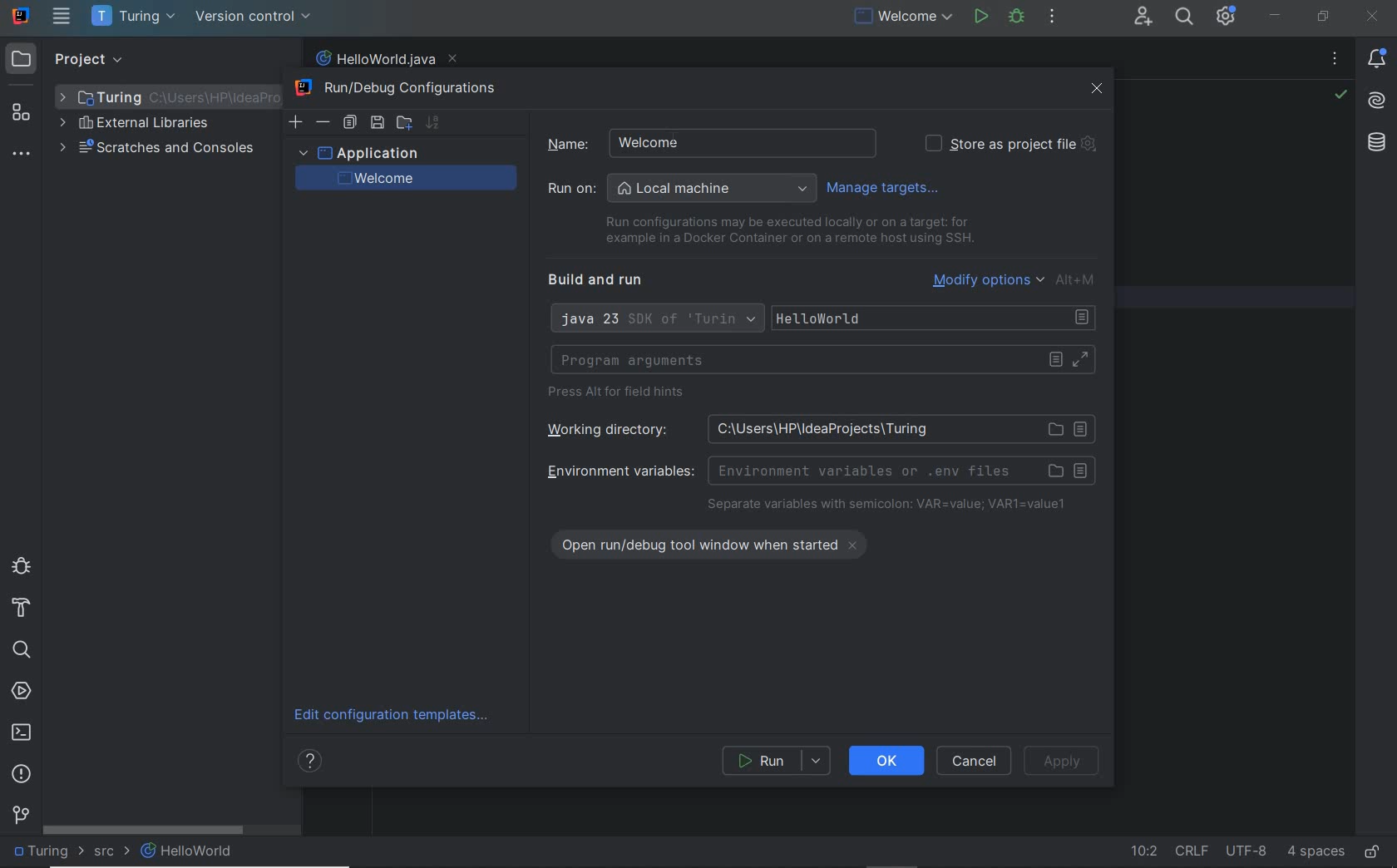 The image size is (1397, 868). I want to click on cursor, so click(683, 143).